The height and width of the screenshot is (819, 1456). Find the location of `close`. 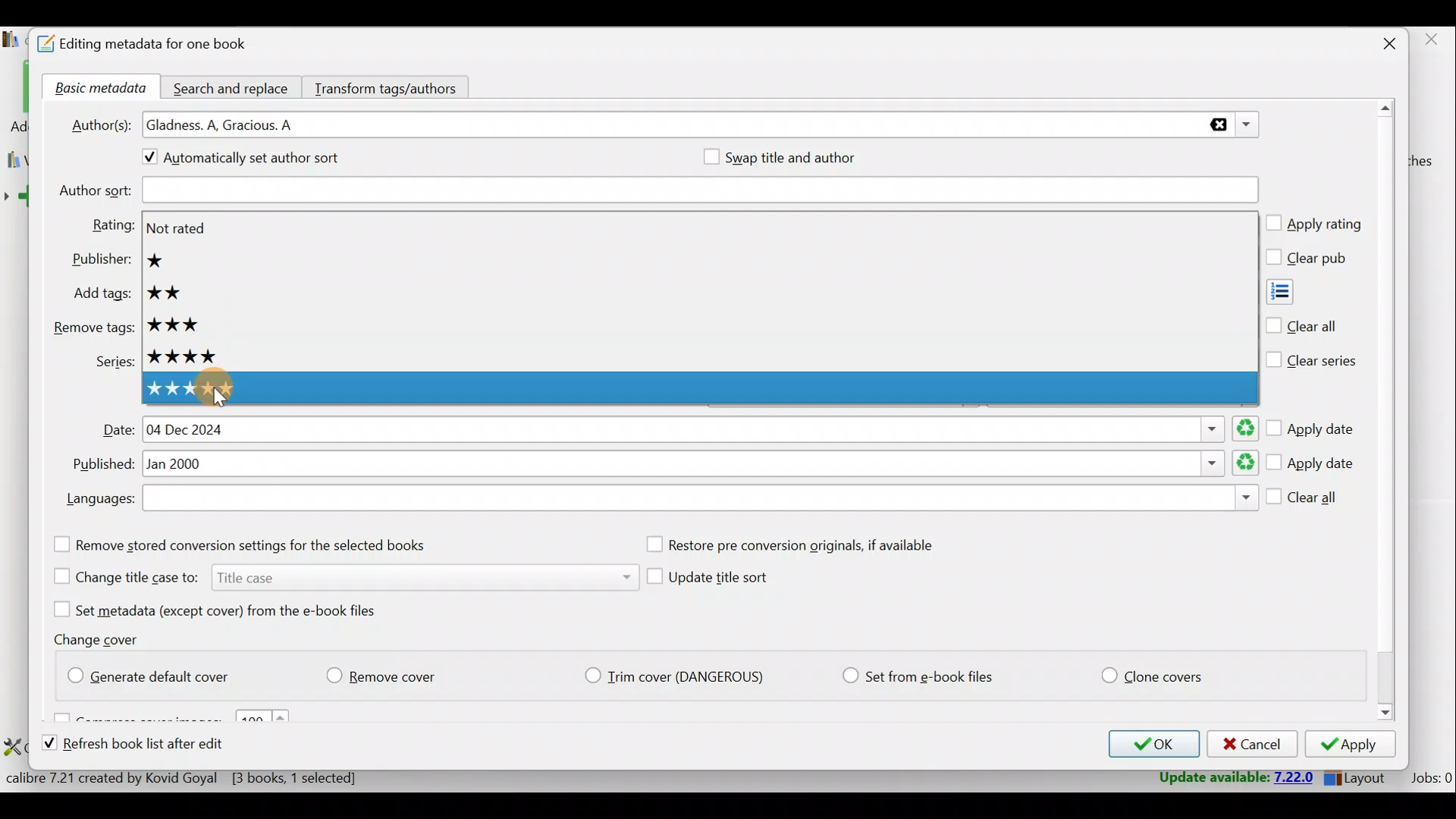

close is located at coordinates (1430, 40).